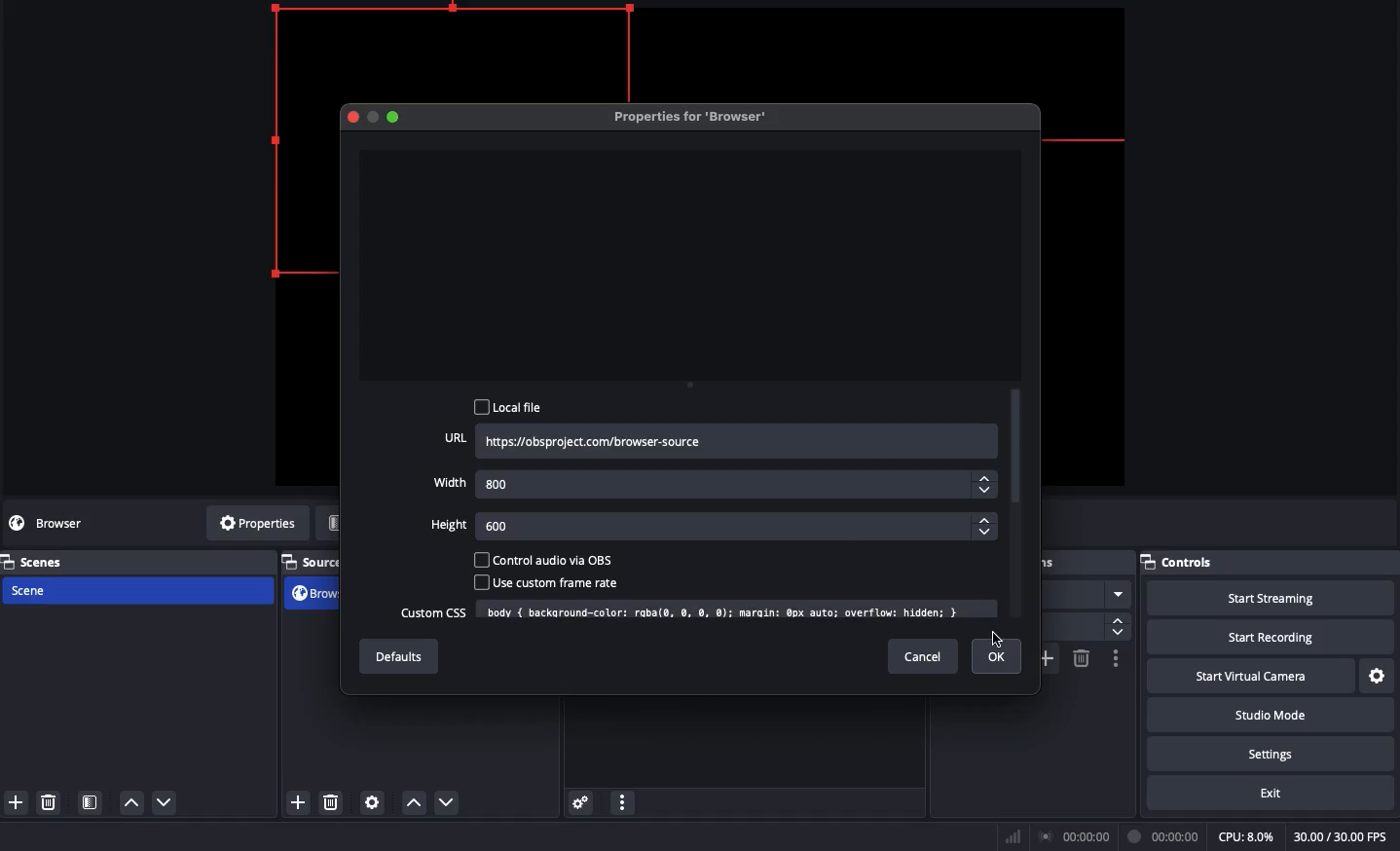 The height and width of the screenshot is (851, 1400). I want to click on Broadcast, so click(1072, 836).